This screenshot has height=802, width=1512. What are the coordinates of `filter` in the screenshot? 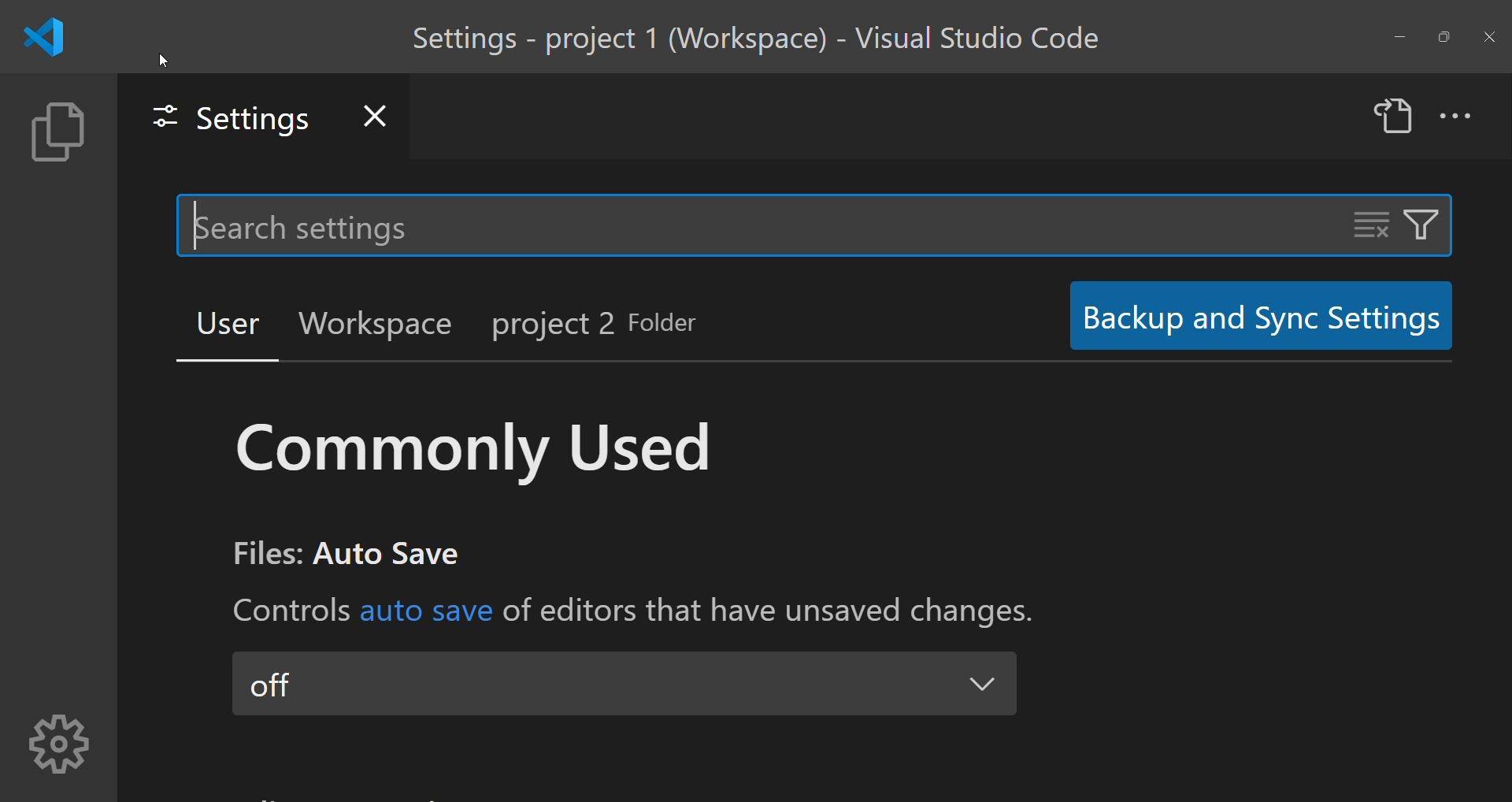 It's located at (1427, 221).